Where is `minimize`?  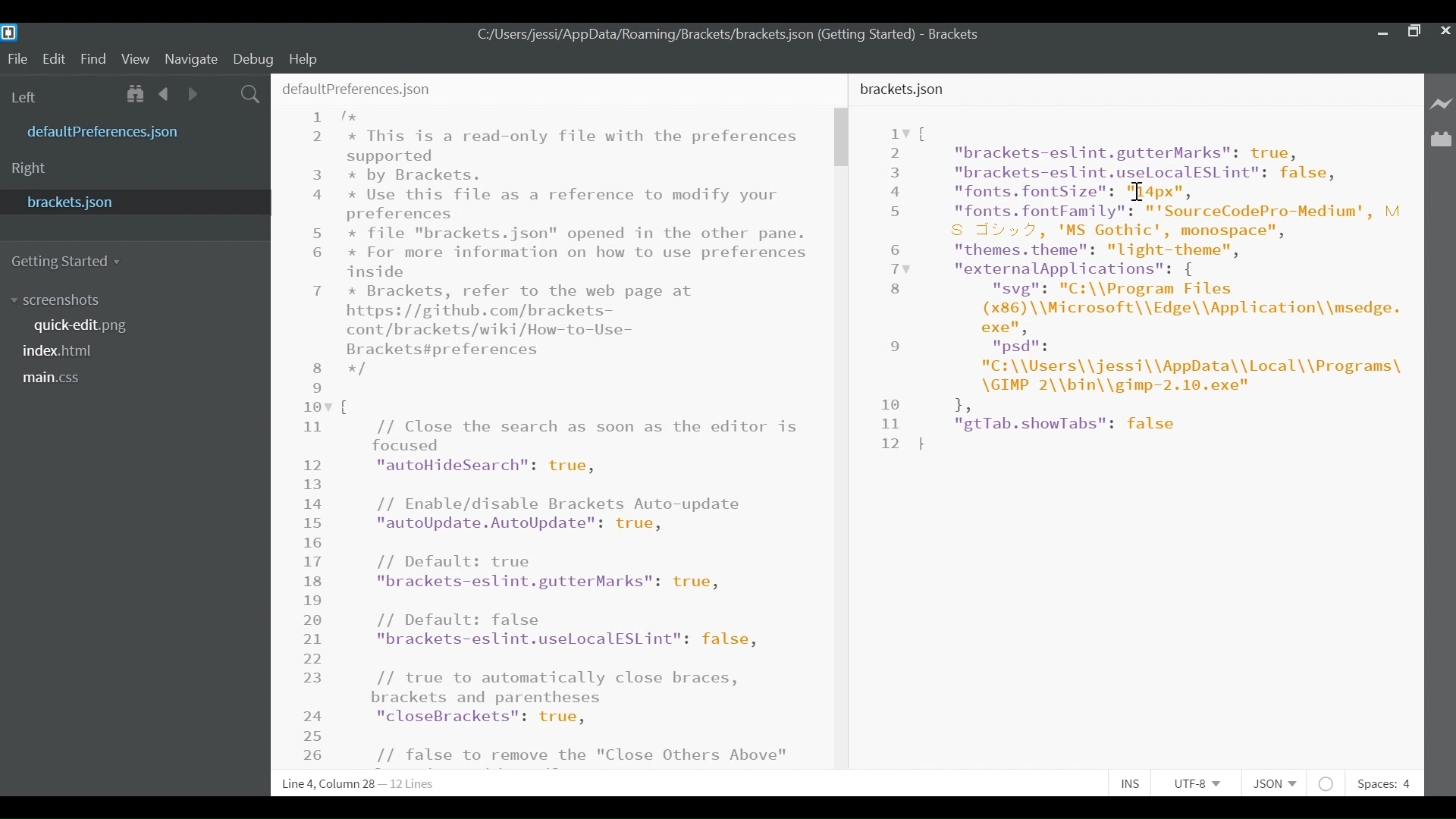 minimize is located at coordinates (1381, 32).